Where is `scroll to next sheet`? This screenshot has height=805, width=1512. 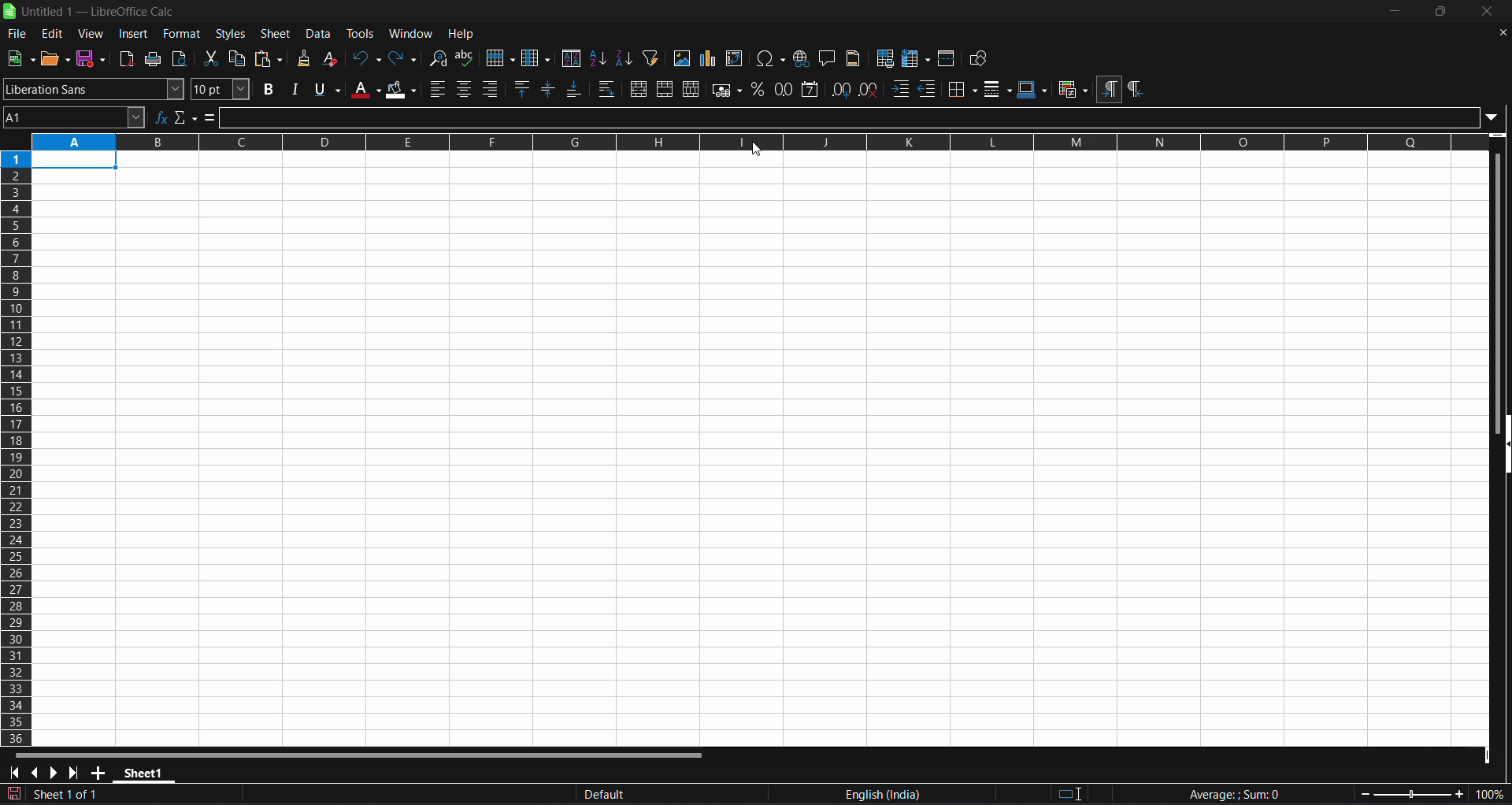 scroll to next sheet is located at coordinates (54, 766).